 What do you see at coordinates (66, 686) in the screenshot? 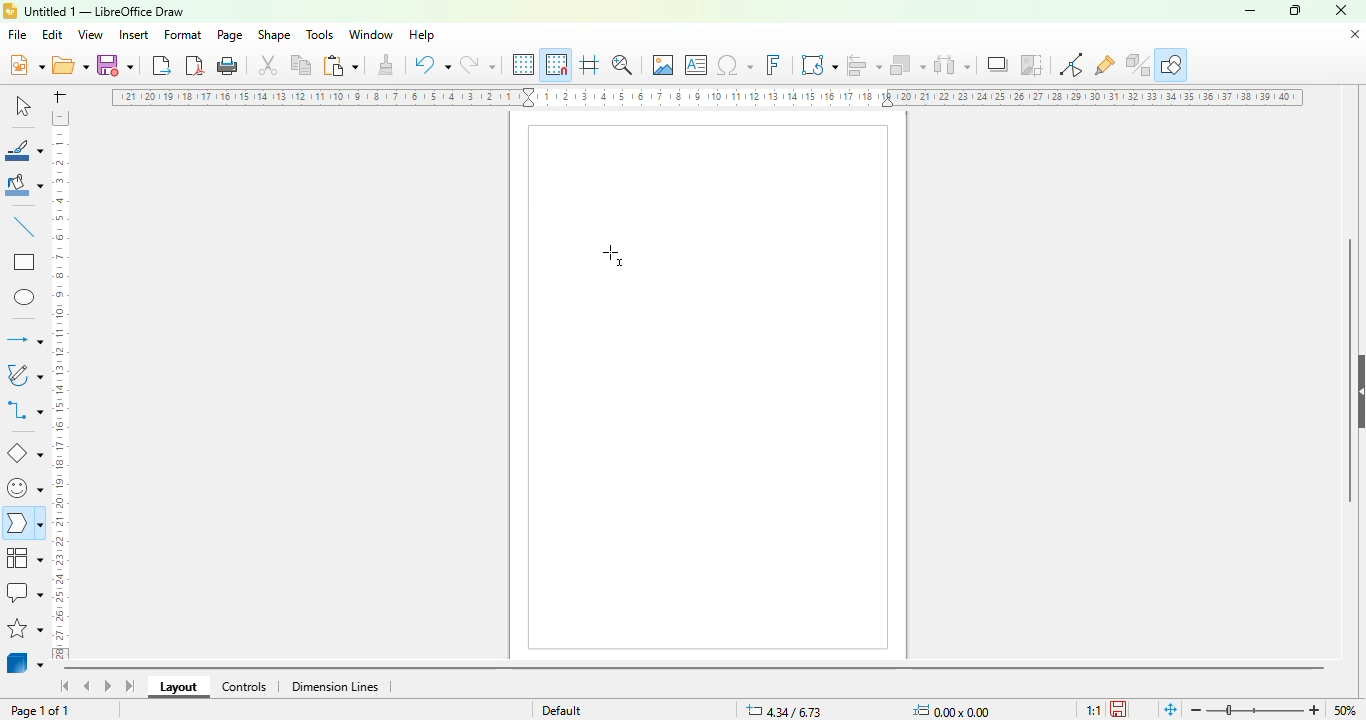
I see `scroll to first sheet` at bounding box center [66, 686].